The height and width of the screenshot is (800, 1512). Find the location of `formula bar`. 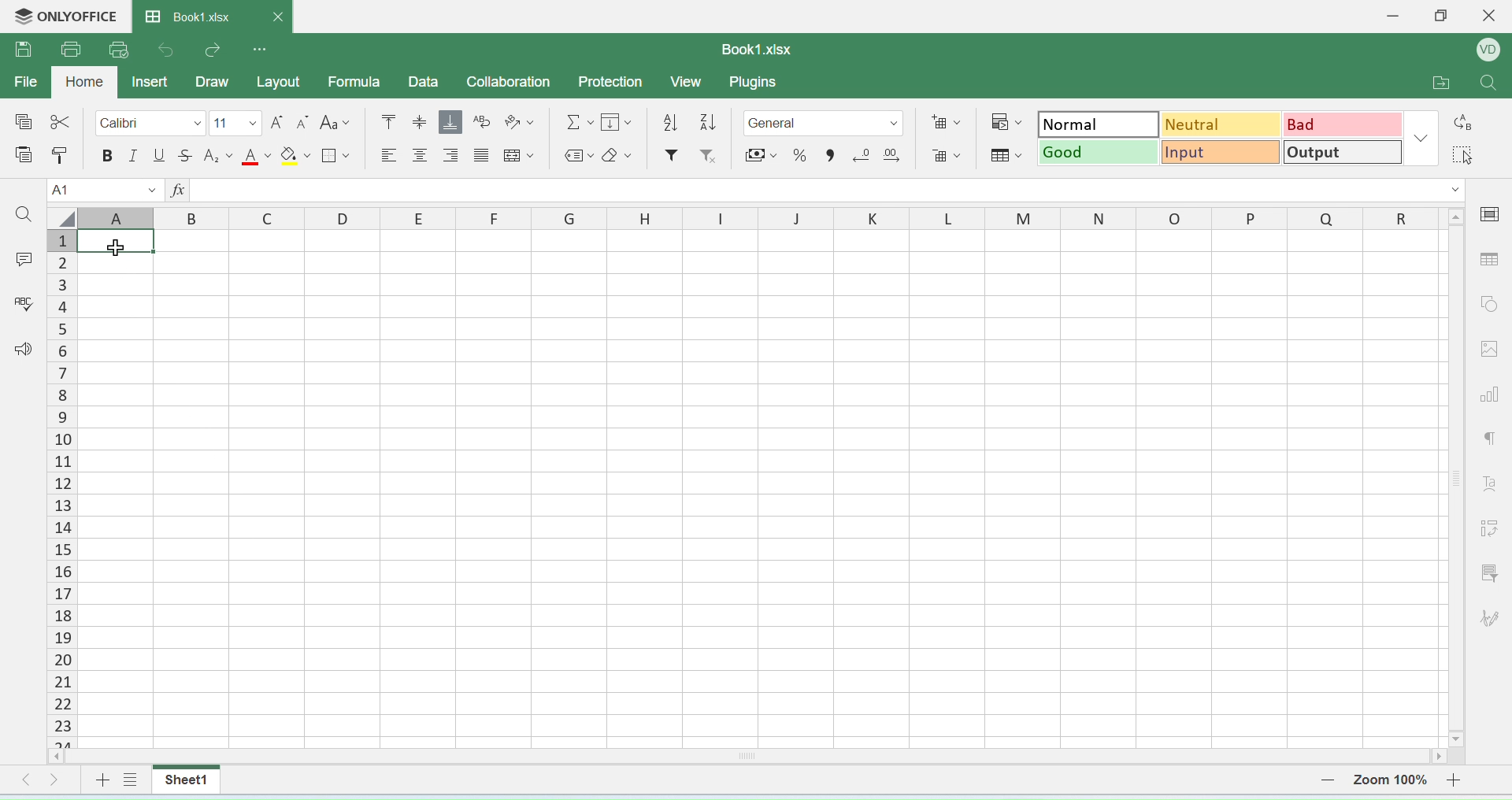

formula bar is located at coordinates (817, 190).